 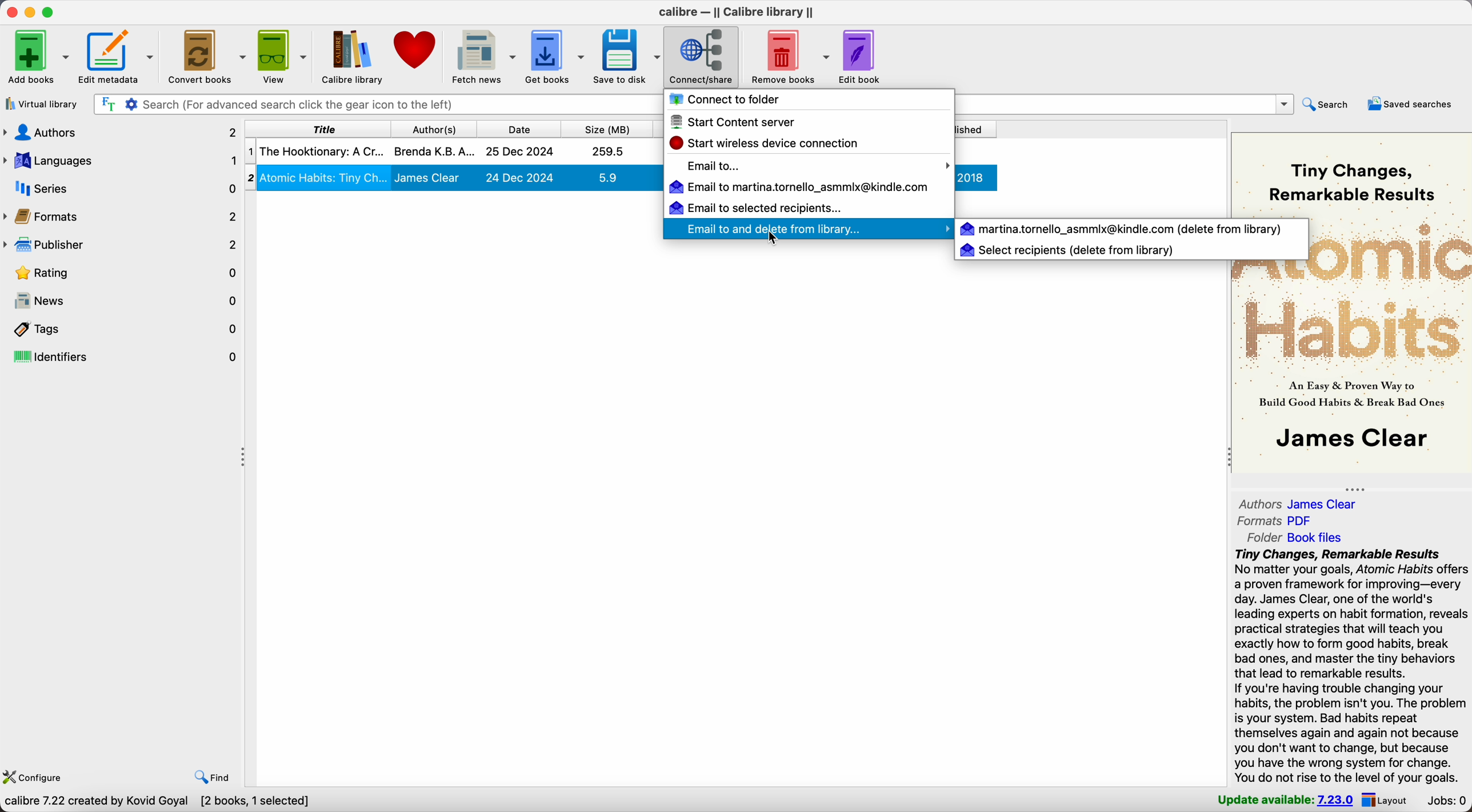 What do you see at coordinates (1351, 394) in the screenshot?
I see `SE - An Easy & Proven Way to
Build Good Habits & Break Bad Ones` at bounding box center [1351, 394].